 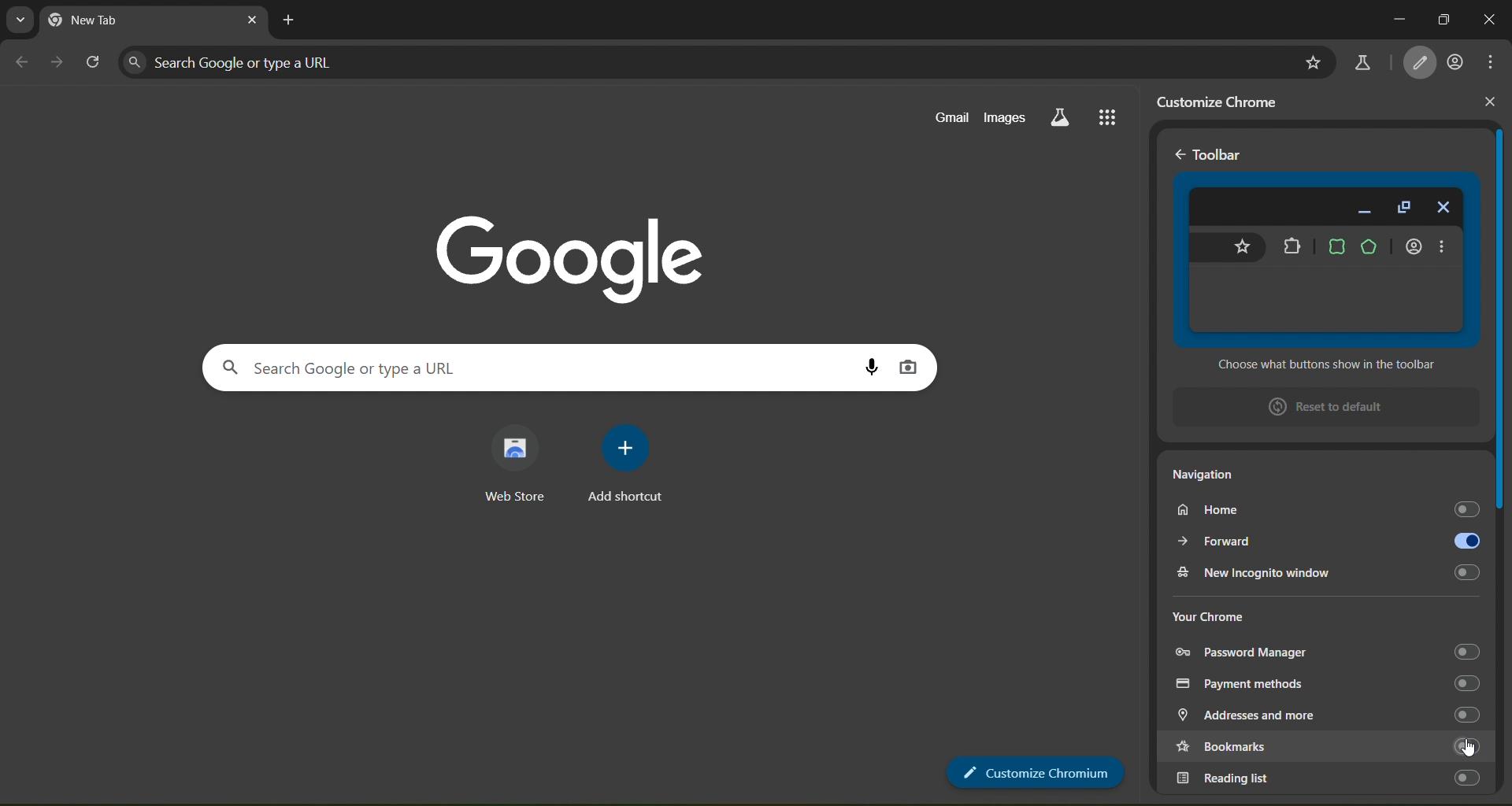 I want to click on search labs, so click(x=1060, y=119).